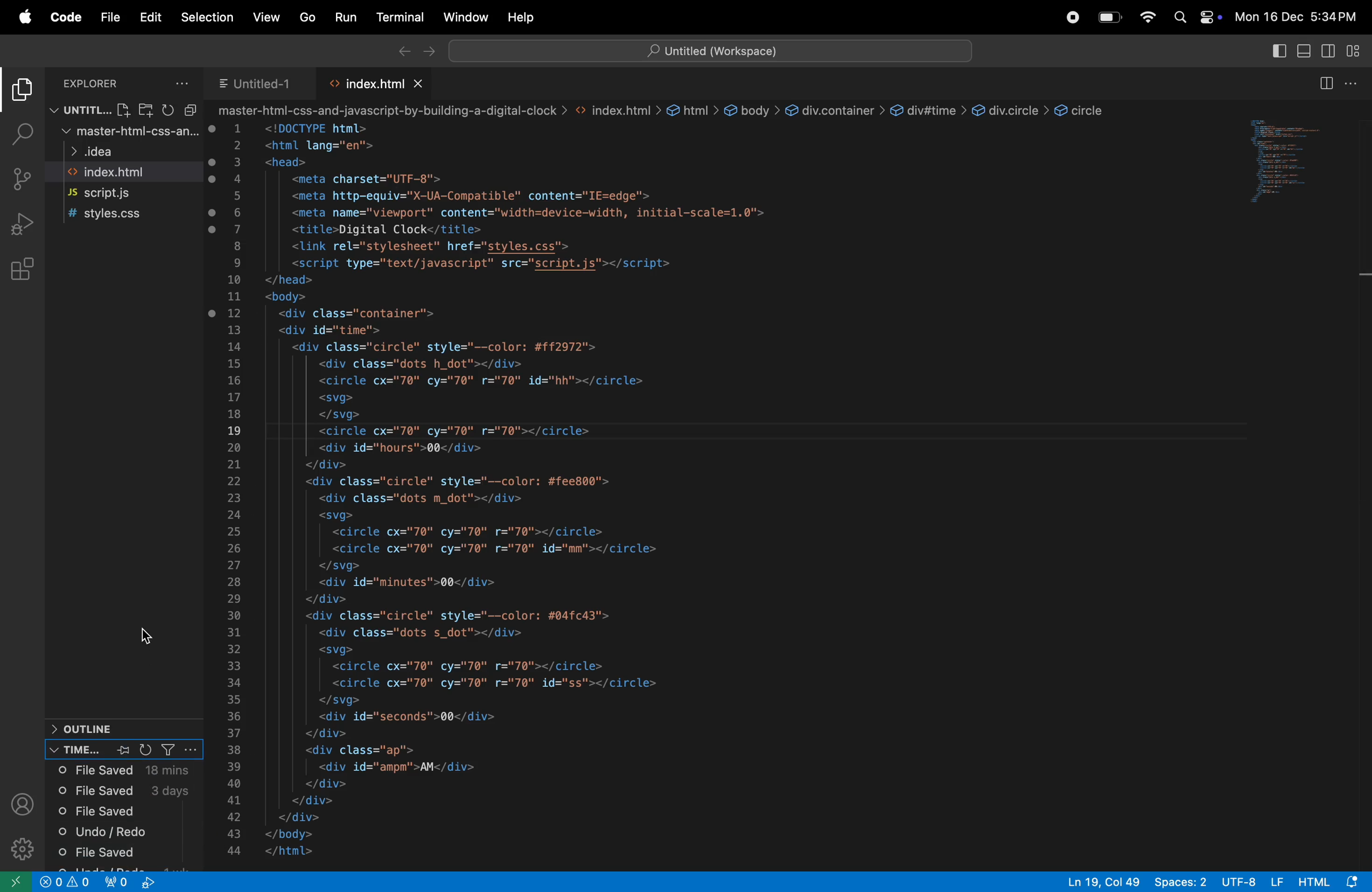 The height and width of the screenshot is (892, 1372). Describe the element at coordinates (145, 750) in the screenshot. I see `reload` at that location.